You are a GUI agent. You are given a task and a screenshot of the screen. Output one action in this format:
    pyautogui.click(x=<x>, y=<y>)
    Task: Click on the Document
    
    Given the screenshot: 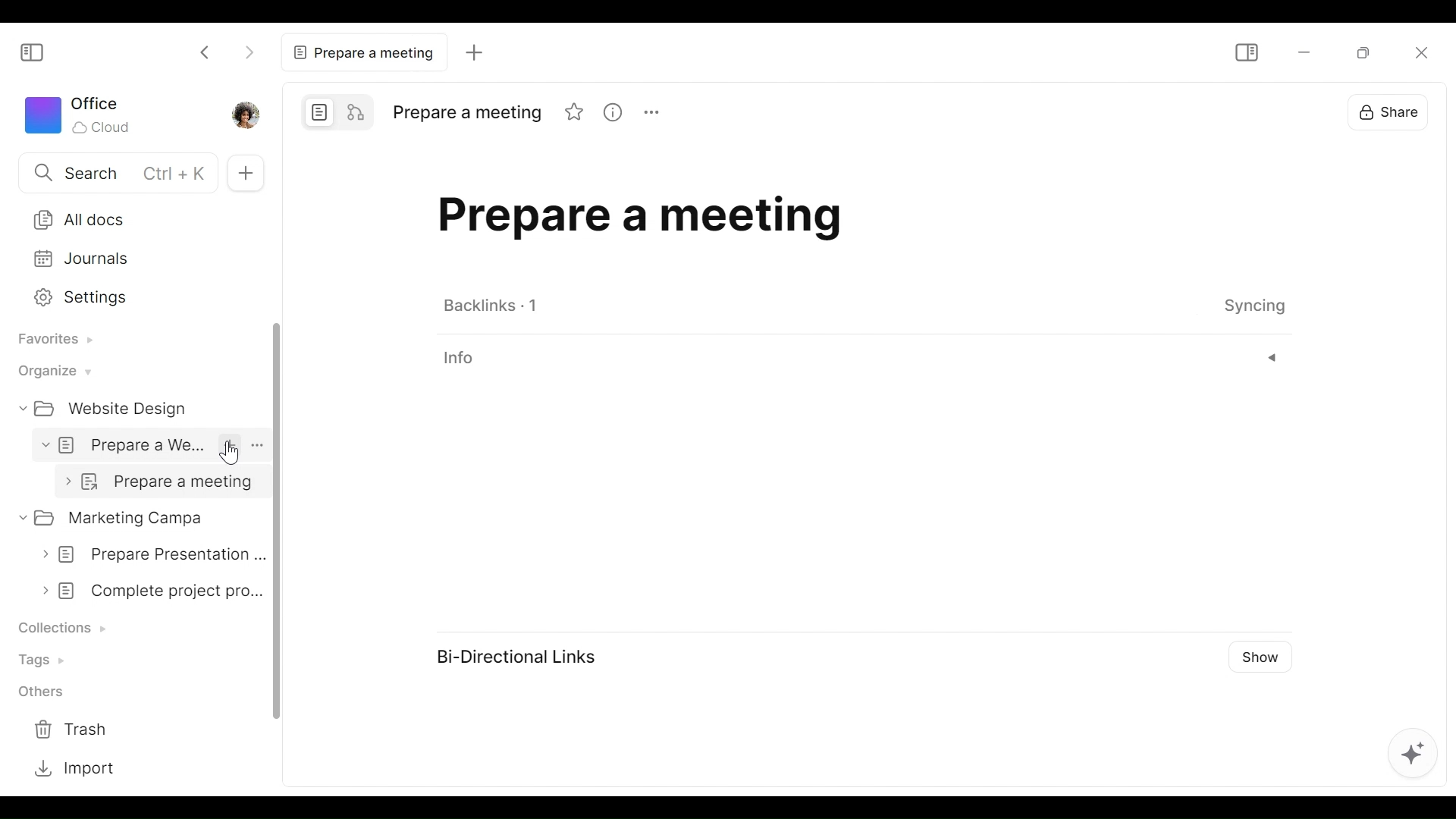 What is the action you would take?
    pyautogui.click(x=151, y=445)
    